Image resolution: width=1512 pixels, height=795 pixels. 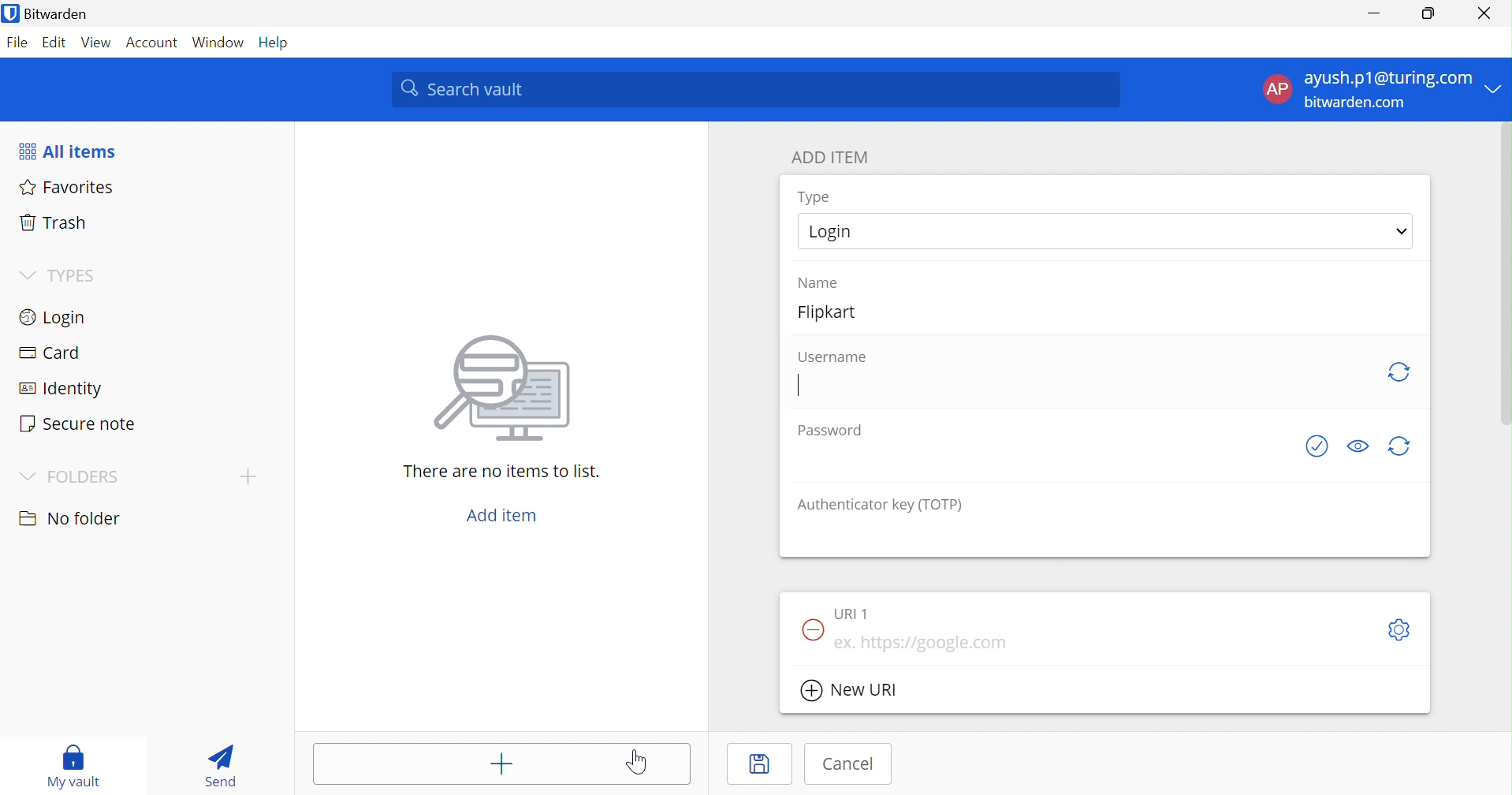 I want to click on Drop Down, so click(x=1402, y=230).